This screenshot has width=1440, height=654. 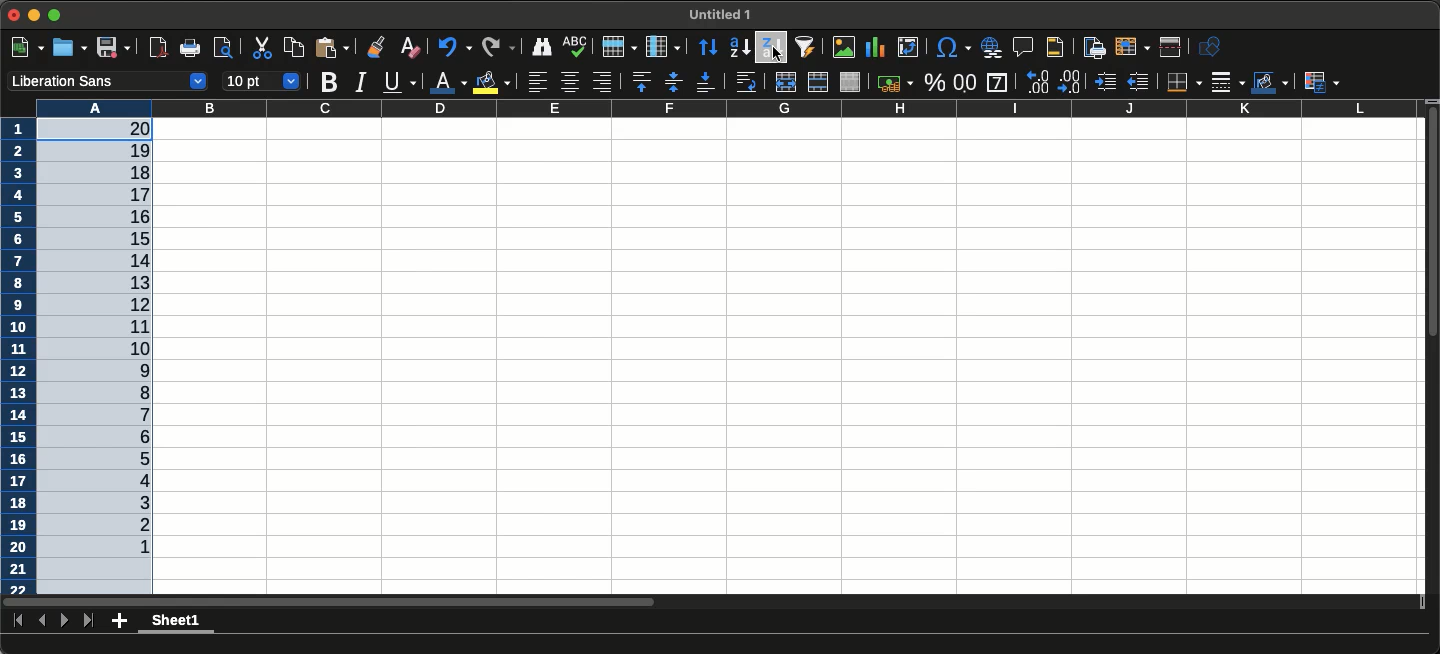 I want to click on File name, so click(x=719, y=14).